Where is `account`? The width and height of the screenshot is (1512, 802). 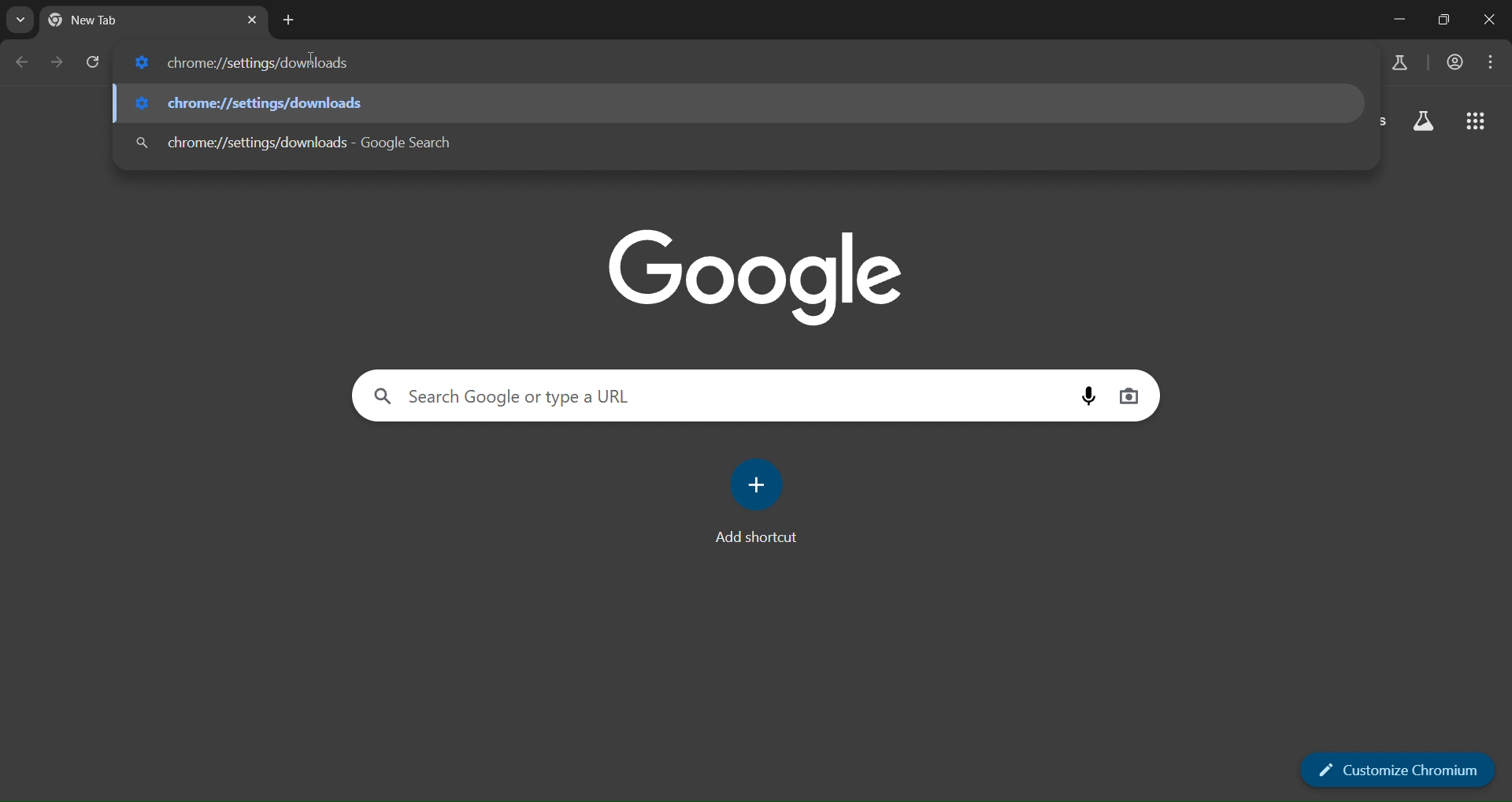
account is located at coordinates (1452, 61).